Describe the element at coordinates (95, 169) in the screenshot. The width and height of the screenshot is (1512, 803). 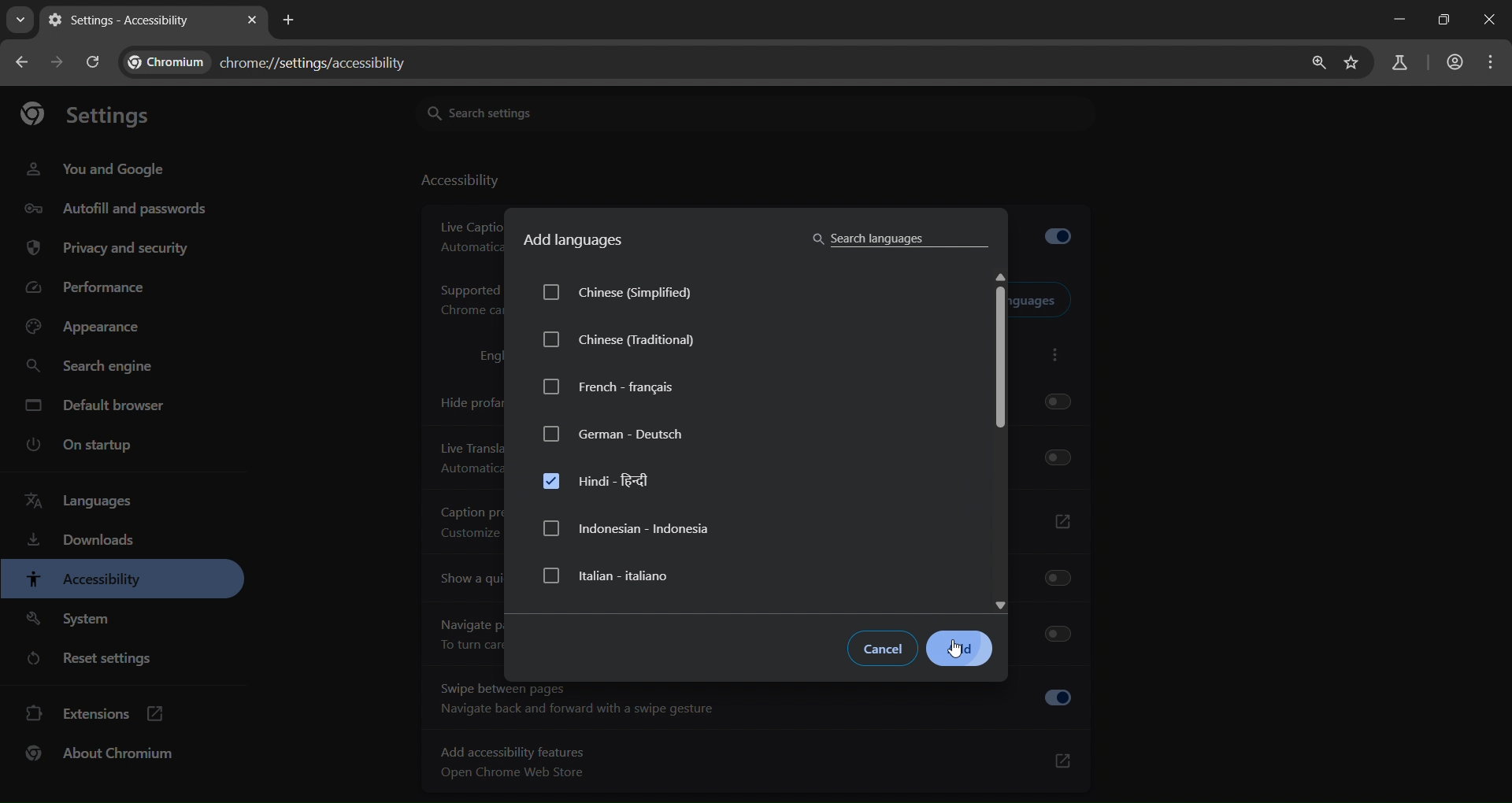
I see `you and google` at that location.